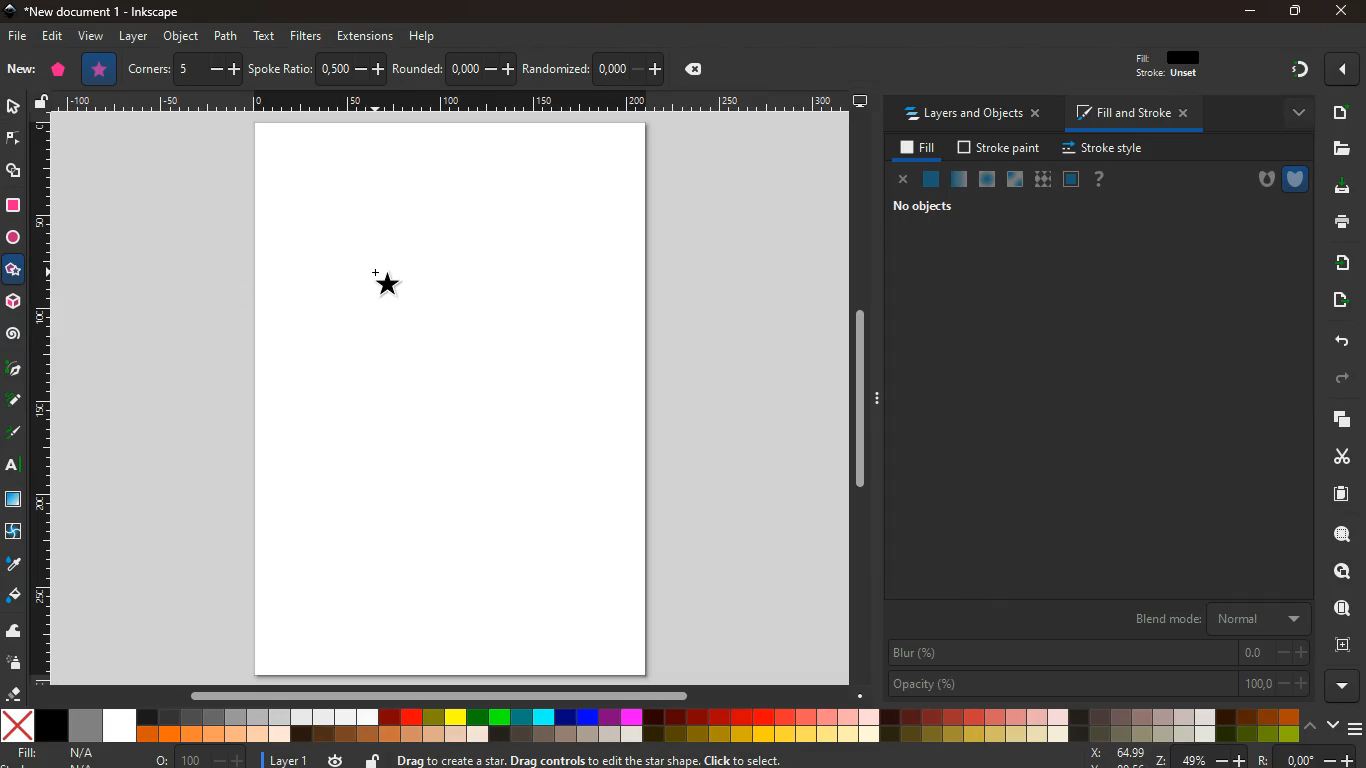  What do you see at coordinates (53, 37) in the screenshot?
I see `edit` at bounding box center [53, 37].